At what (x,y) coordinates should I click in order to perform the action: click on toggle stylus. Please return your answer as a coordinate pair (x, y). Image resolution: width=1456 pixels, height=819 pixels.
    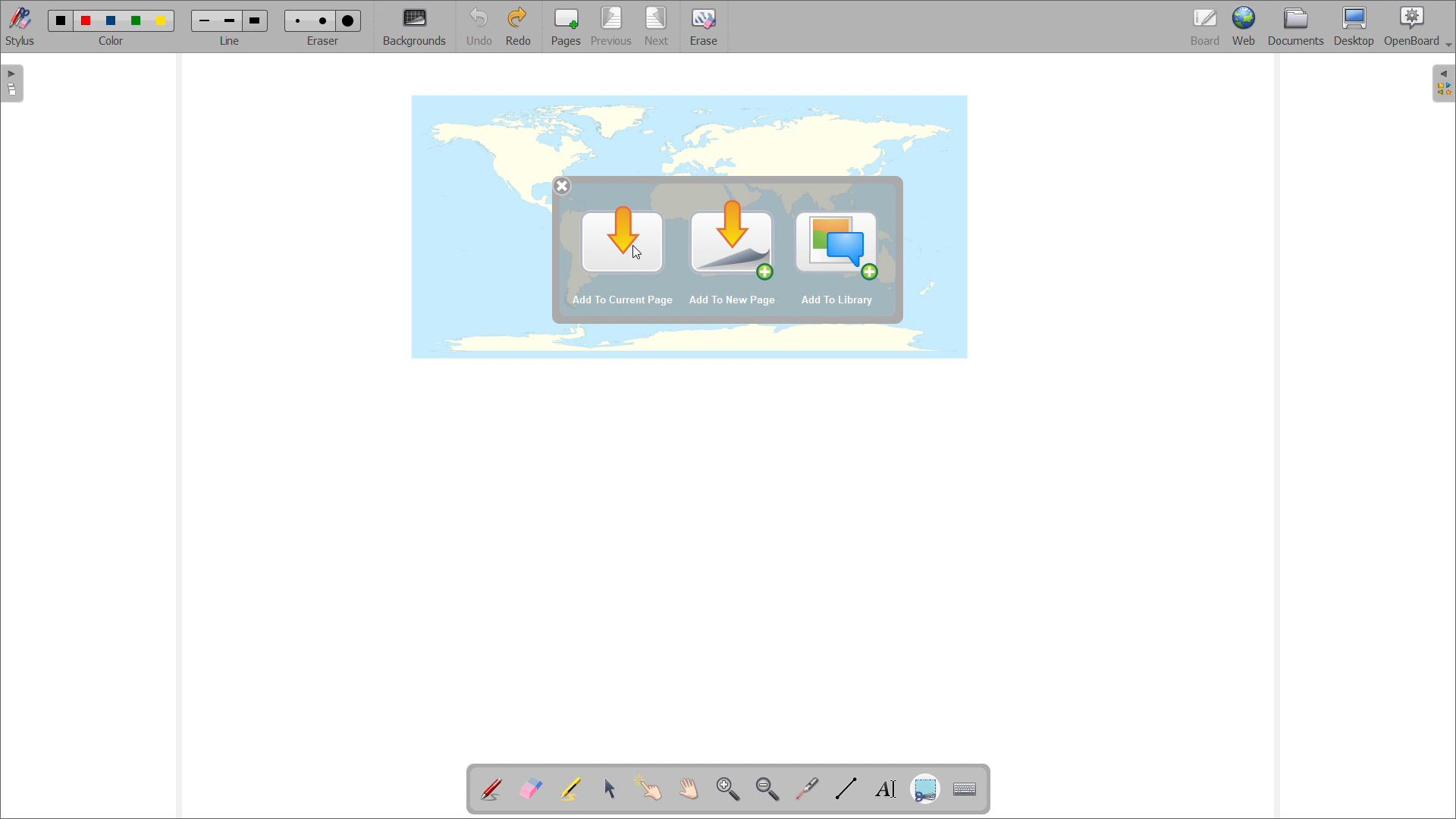
    Looking at the image, I should click on (22, 27).